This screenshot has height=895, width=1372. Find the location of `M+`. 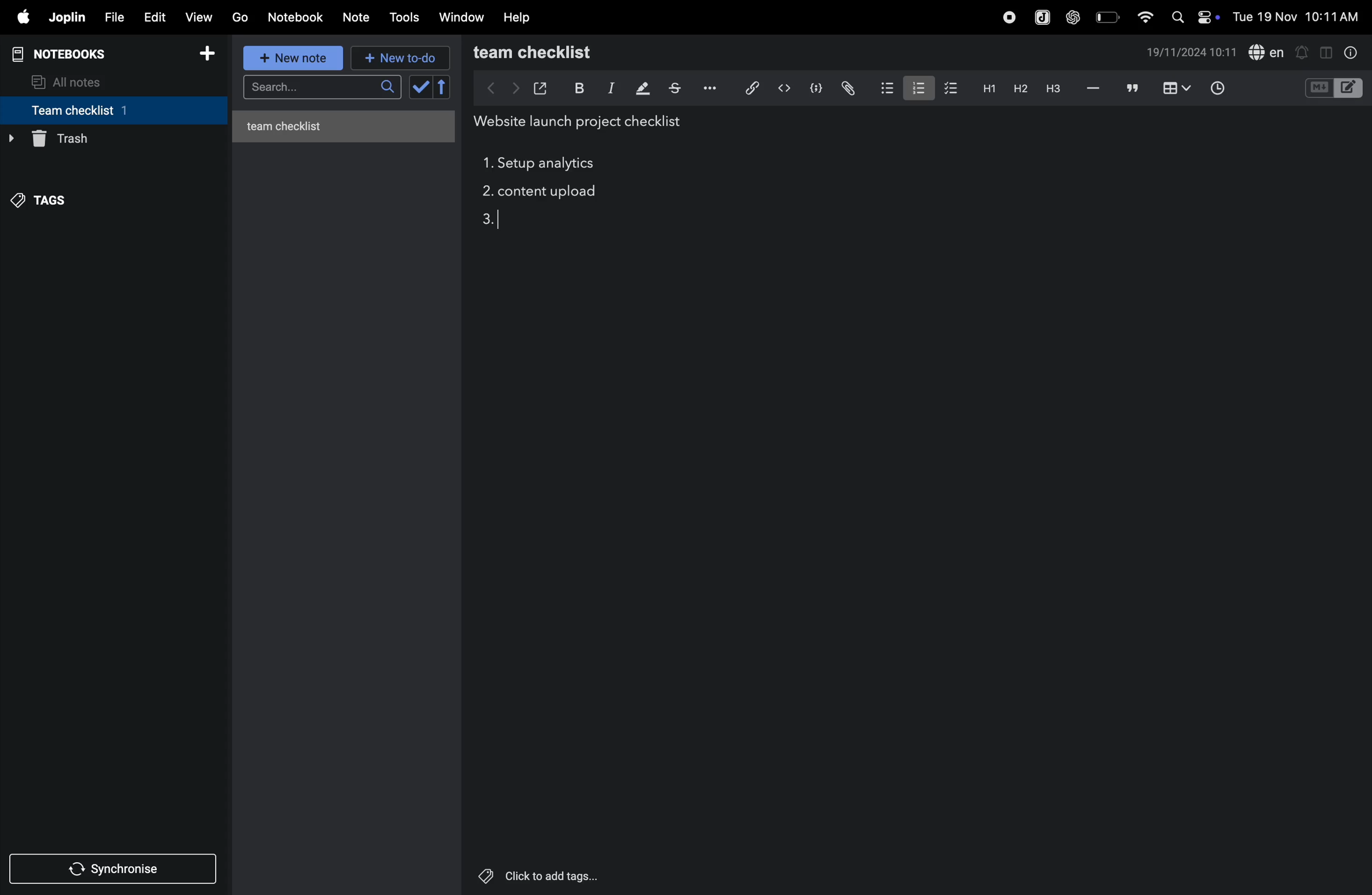

M+ is located at coordinates (1318, 88).